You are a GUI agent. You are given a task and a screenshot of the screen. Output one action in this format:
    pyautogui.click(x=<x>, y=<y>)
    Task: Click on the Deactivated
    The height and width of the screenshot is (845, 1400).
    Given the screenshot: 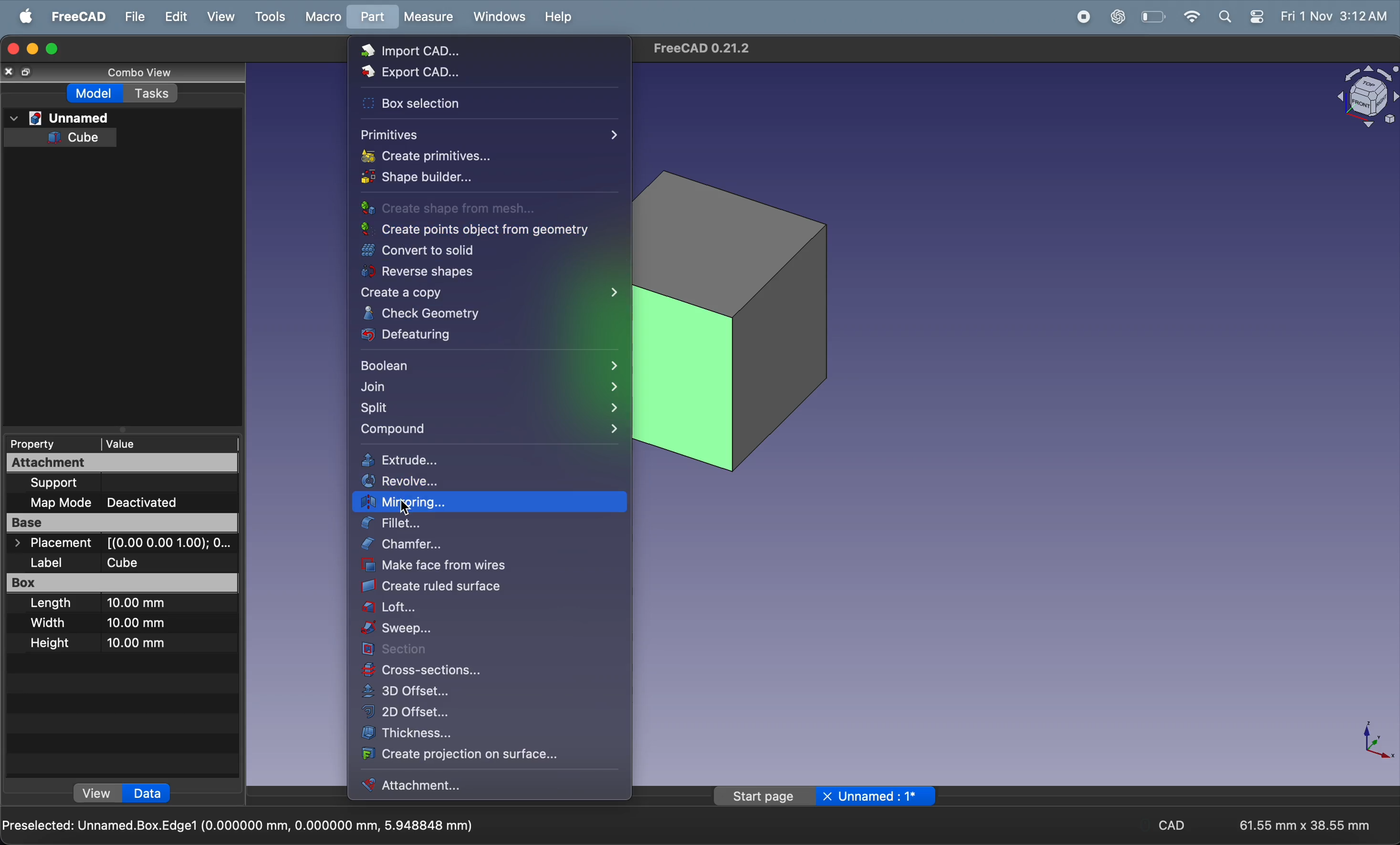 What is the action you would take?
    pyautogui.click(x=159, y=503)
    